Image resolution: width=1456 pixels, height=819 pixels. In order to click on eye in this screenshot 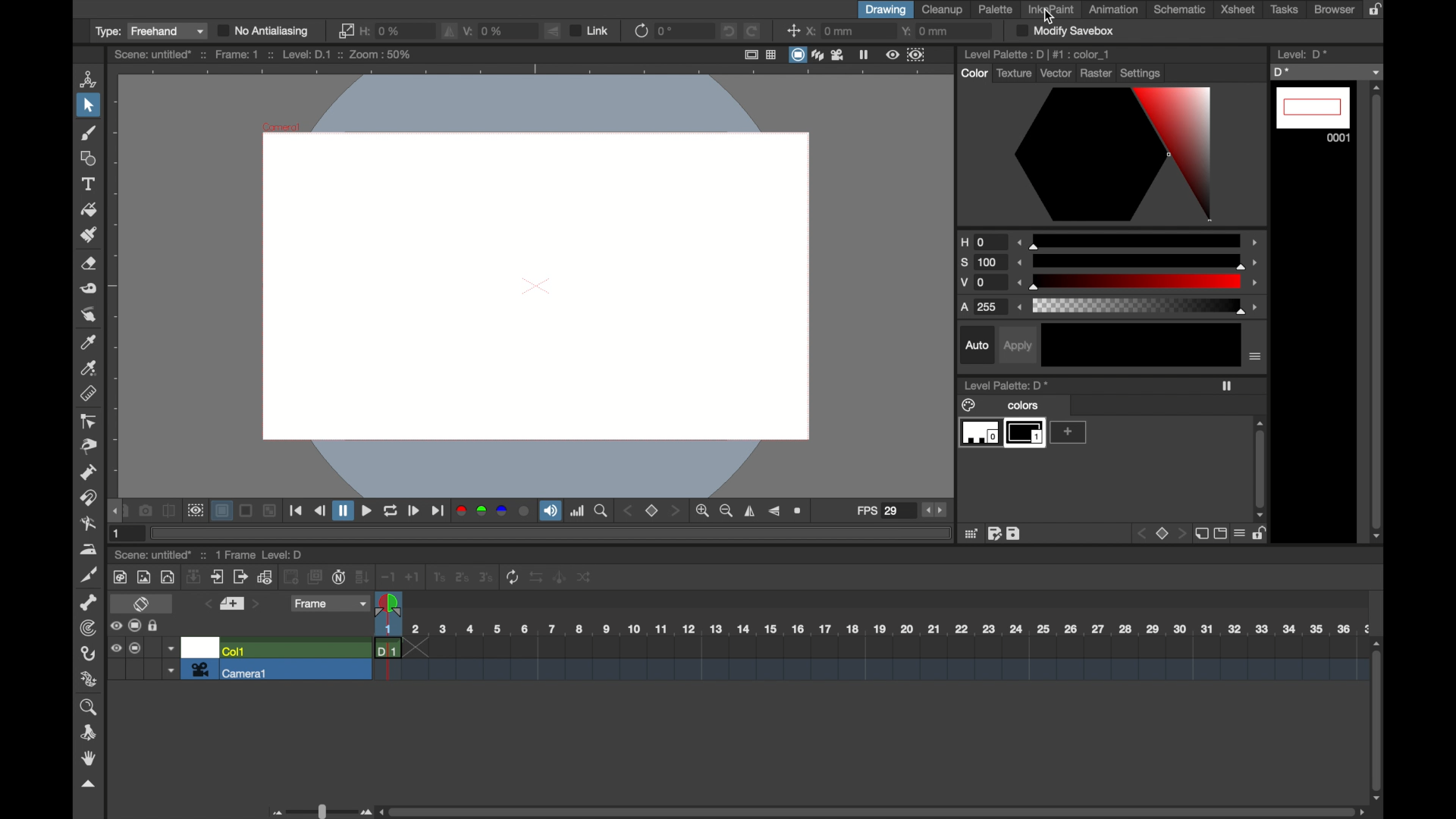, I will do `click(115, 626)`.